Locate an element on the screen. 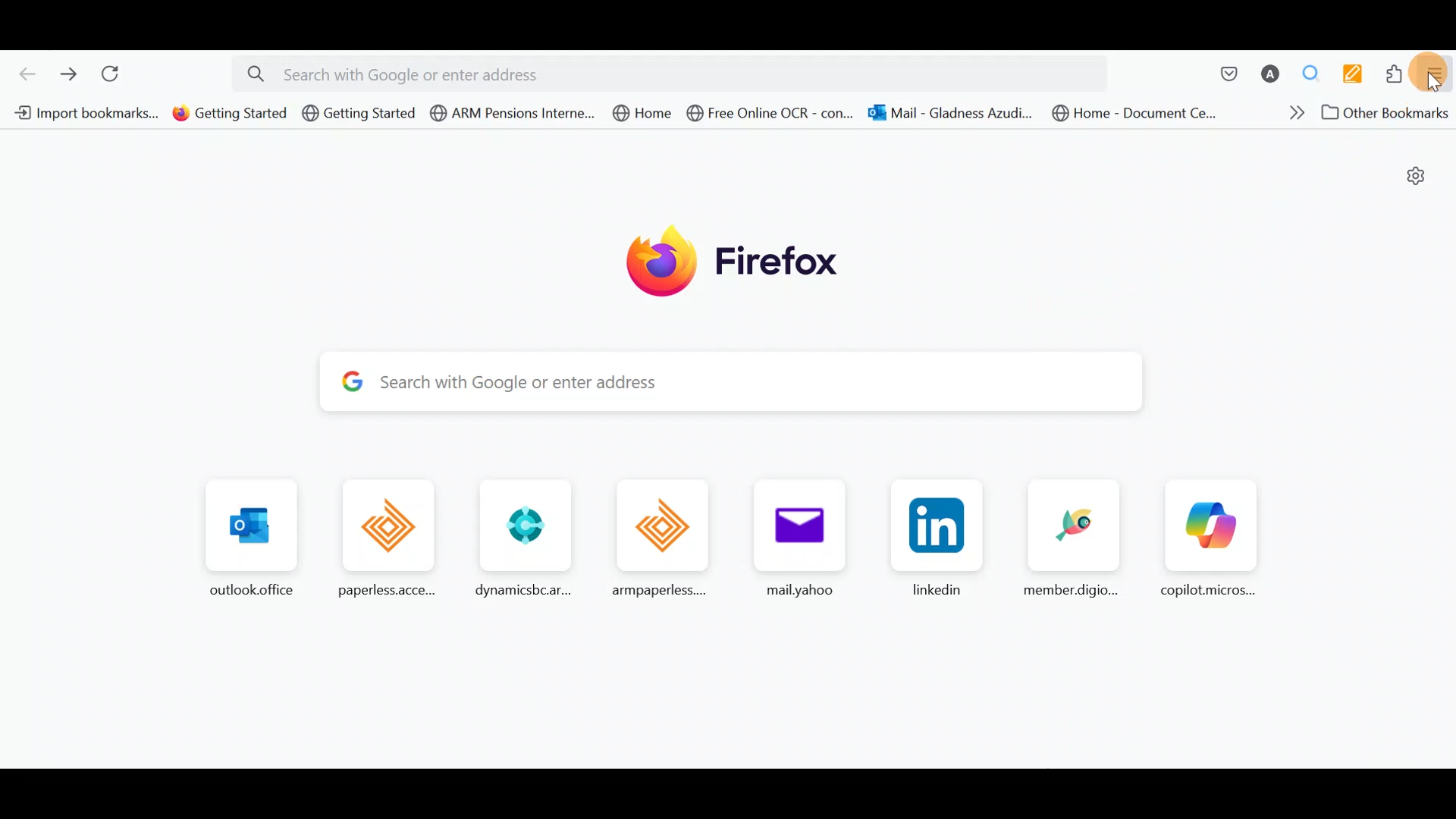  Go back one page is located at coordinates (24, 72).